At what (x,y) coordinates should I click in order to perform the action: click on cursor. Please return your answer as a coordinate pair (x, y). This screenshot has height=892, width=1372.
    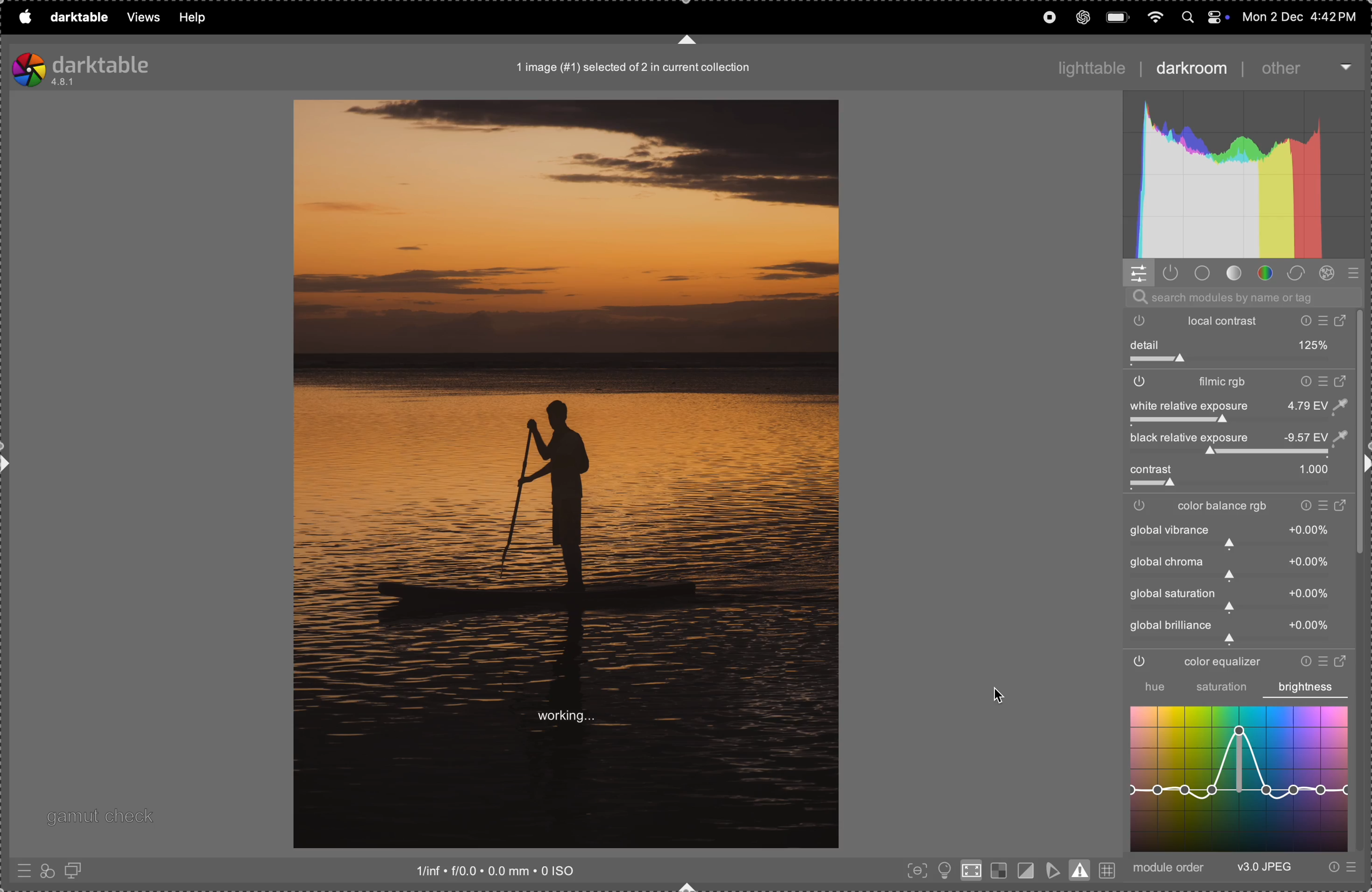
    Looking at the image, I should click on (1001, 695).